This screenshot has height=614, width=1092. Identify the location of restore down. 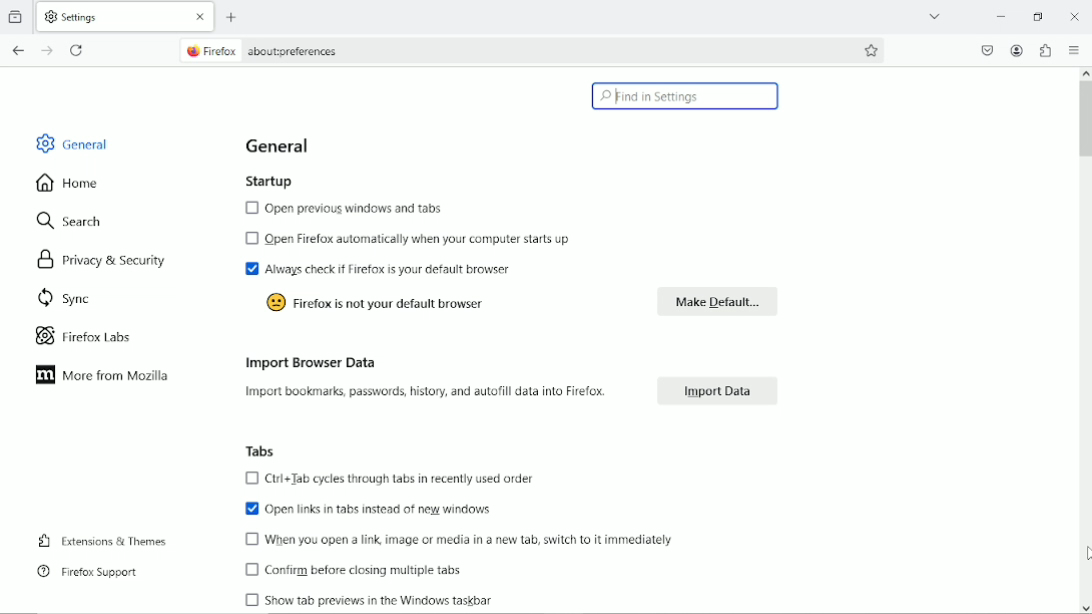
(1040, 15).